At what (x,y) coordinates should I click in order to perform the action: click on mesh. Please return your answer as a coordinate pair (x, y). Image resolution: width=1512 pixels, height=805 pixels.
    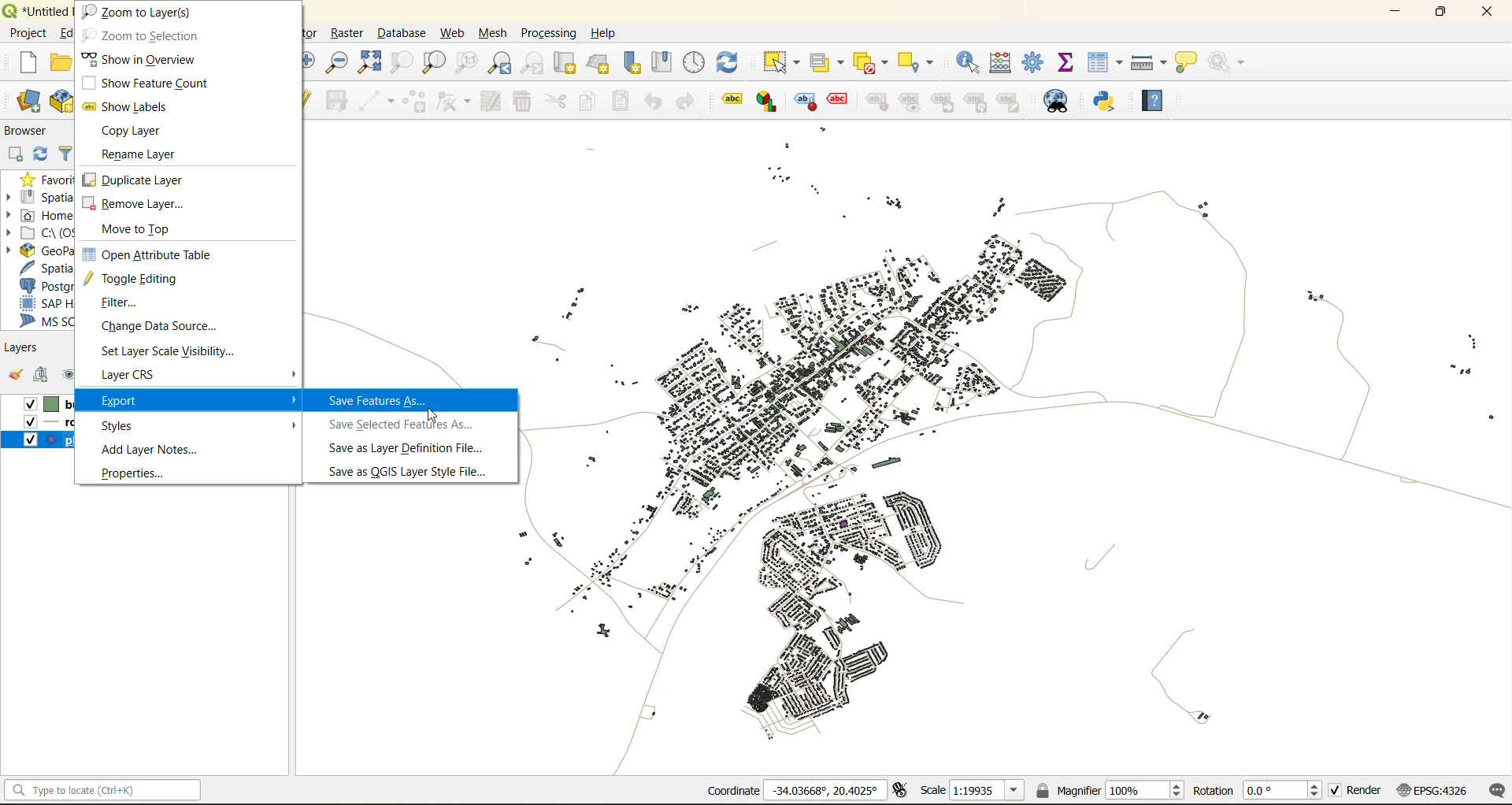
    Looking at the image, I should click on (495, 35).